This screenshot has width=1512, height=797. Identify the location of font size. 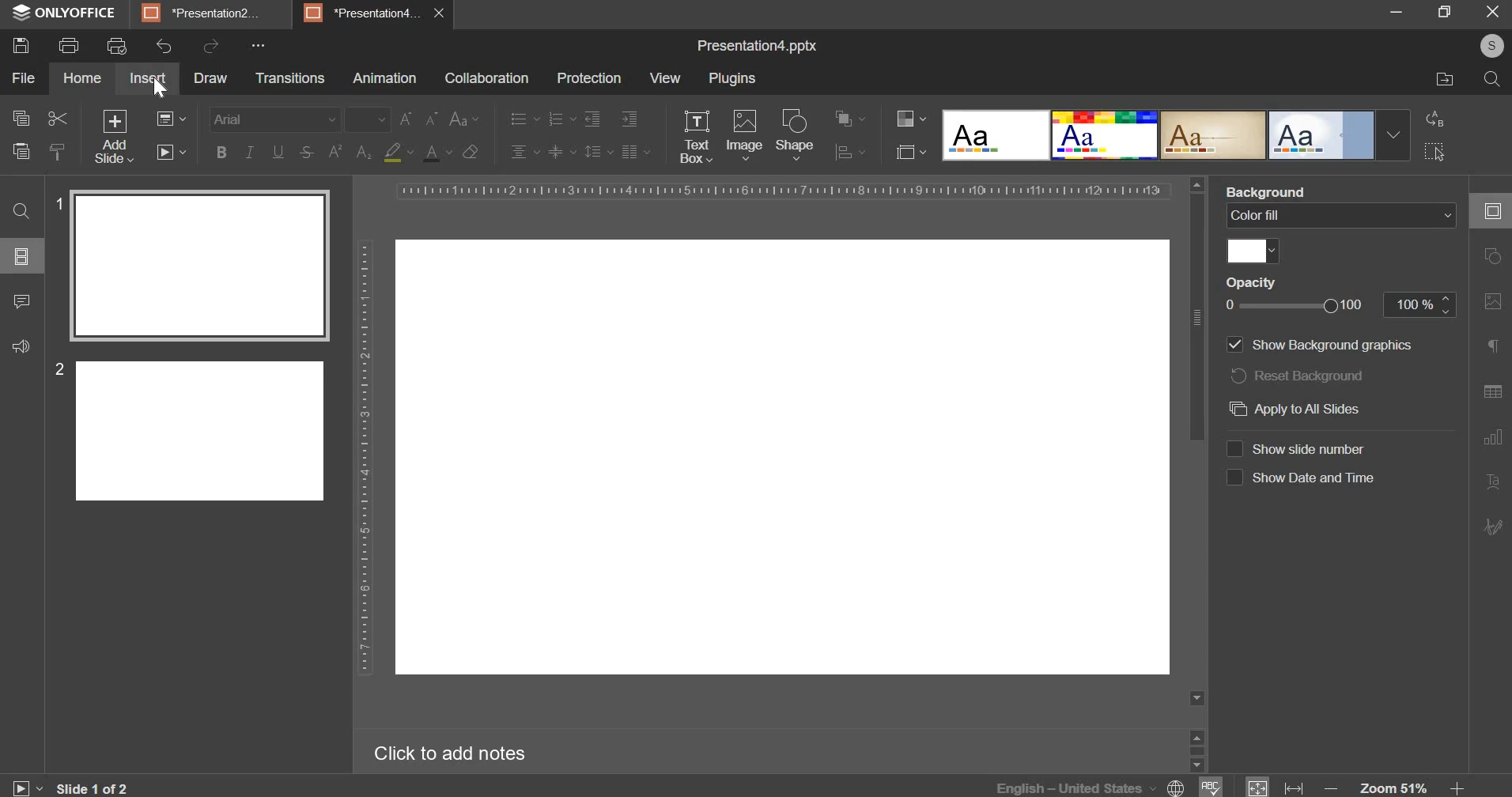
(367, 119).